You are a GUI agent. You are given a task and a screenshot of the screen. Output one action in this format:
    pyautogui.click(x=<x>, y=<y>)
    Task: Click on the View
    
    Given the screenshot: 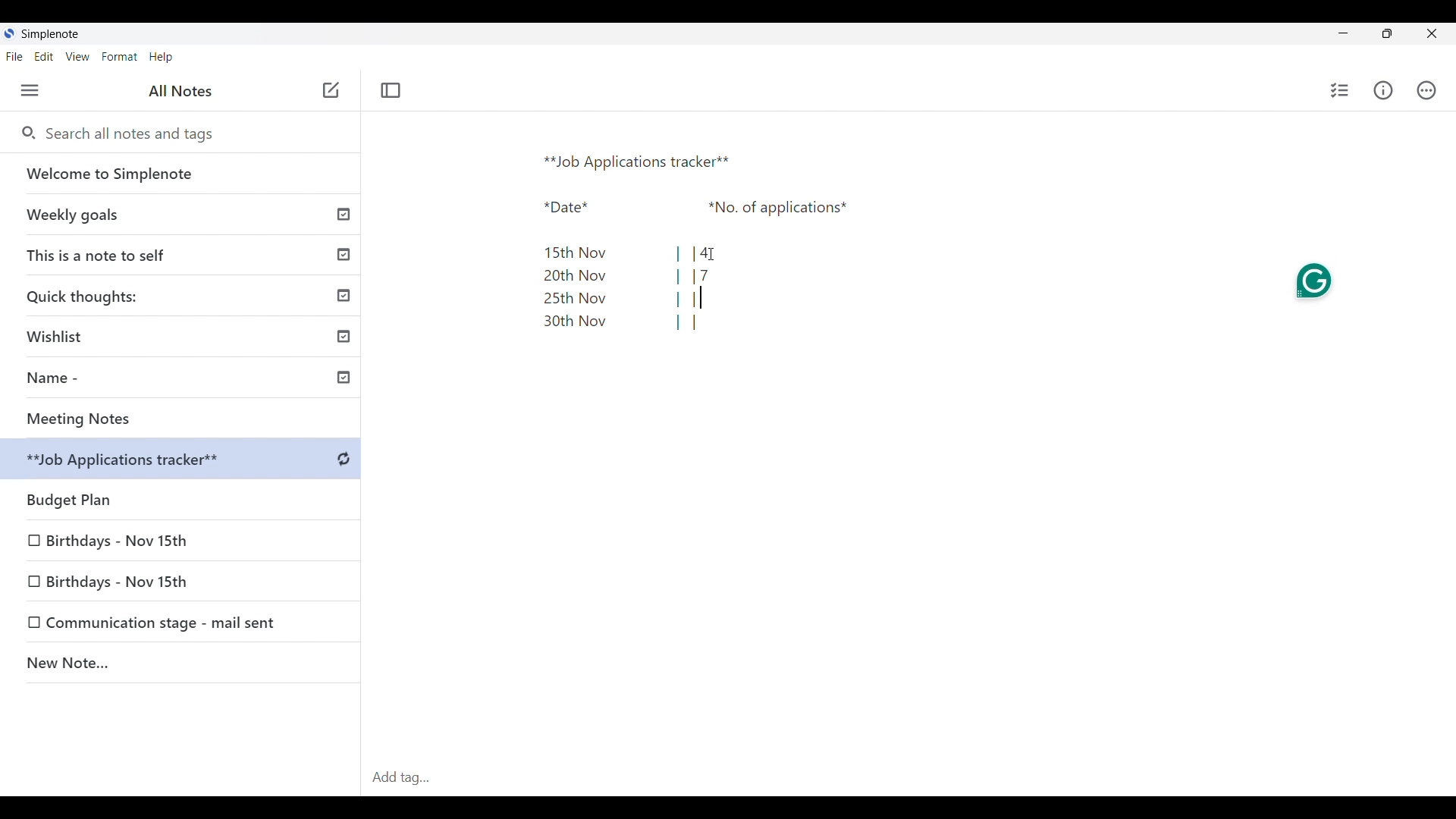 What is the action you would take?
    pyautogui.click(x=77, y=57)
    